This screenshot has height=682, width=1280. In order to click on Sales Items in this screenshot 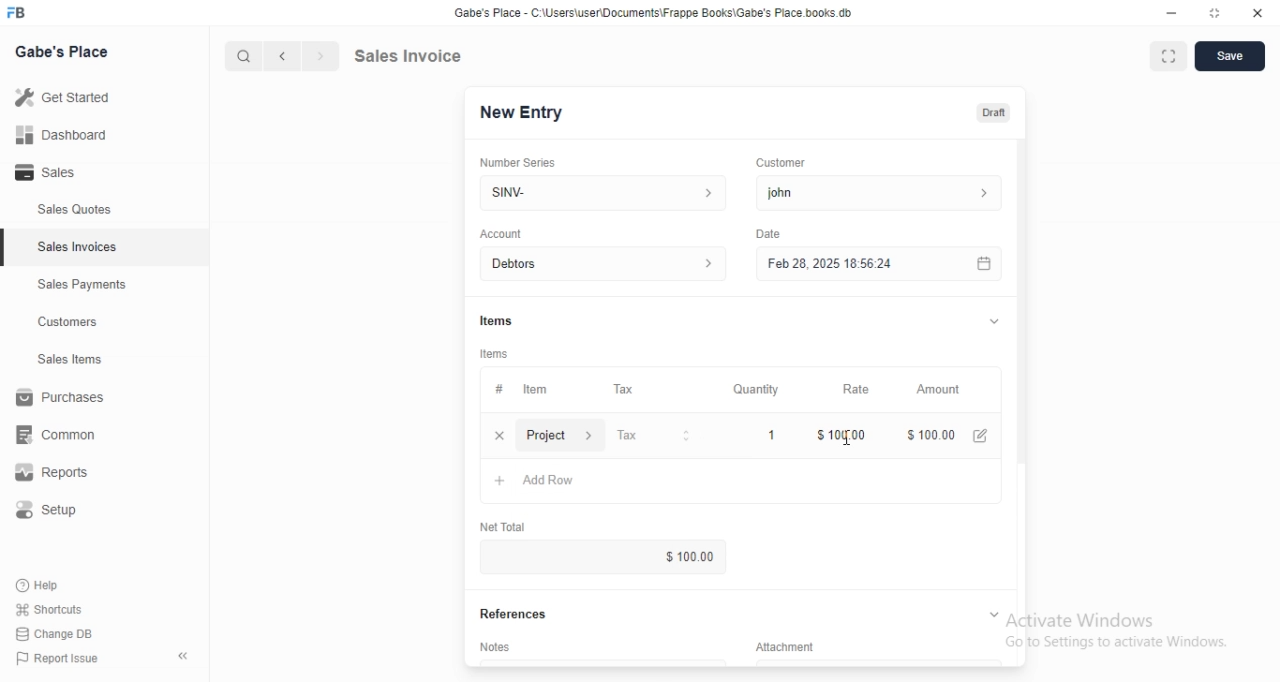, I will do `click(61, 360)`.